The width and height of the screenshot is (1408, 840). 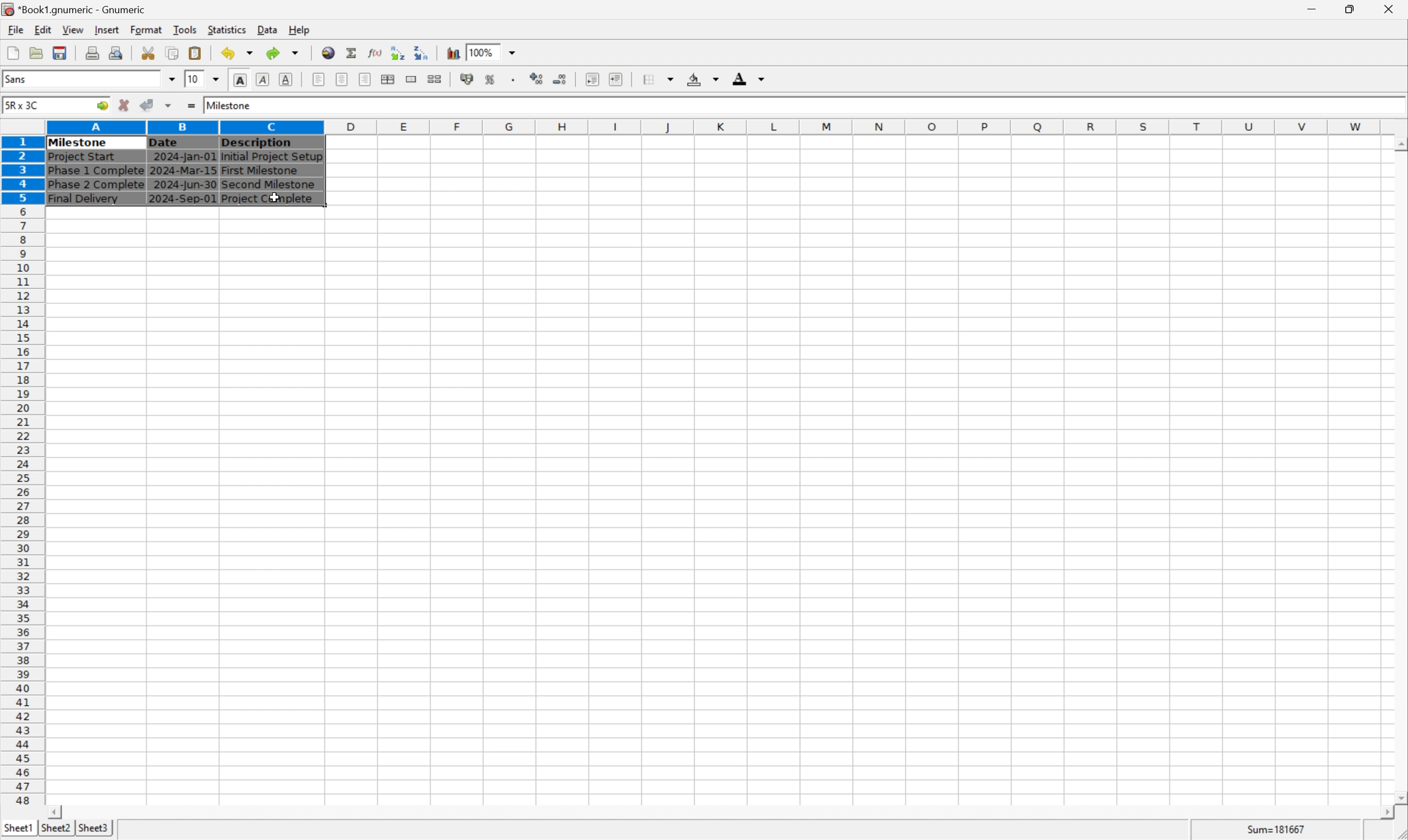 What do you see at coordinates (412, 79) in the screenshot?
I see `merge a range of cells` at bounding box center [412, 79].